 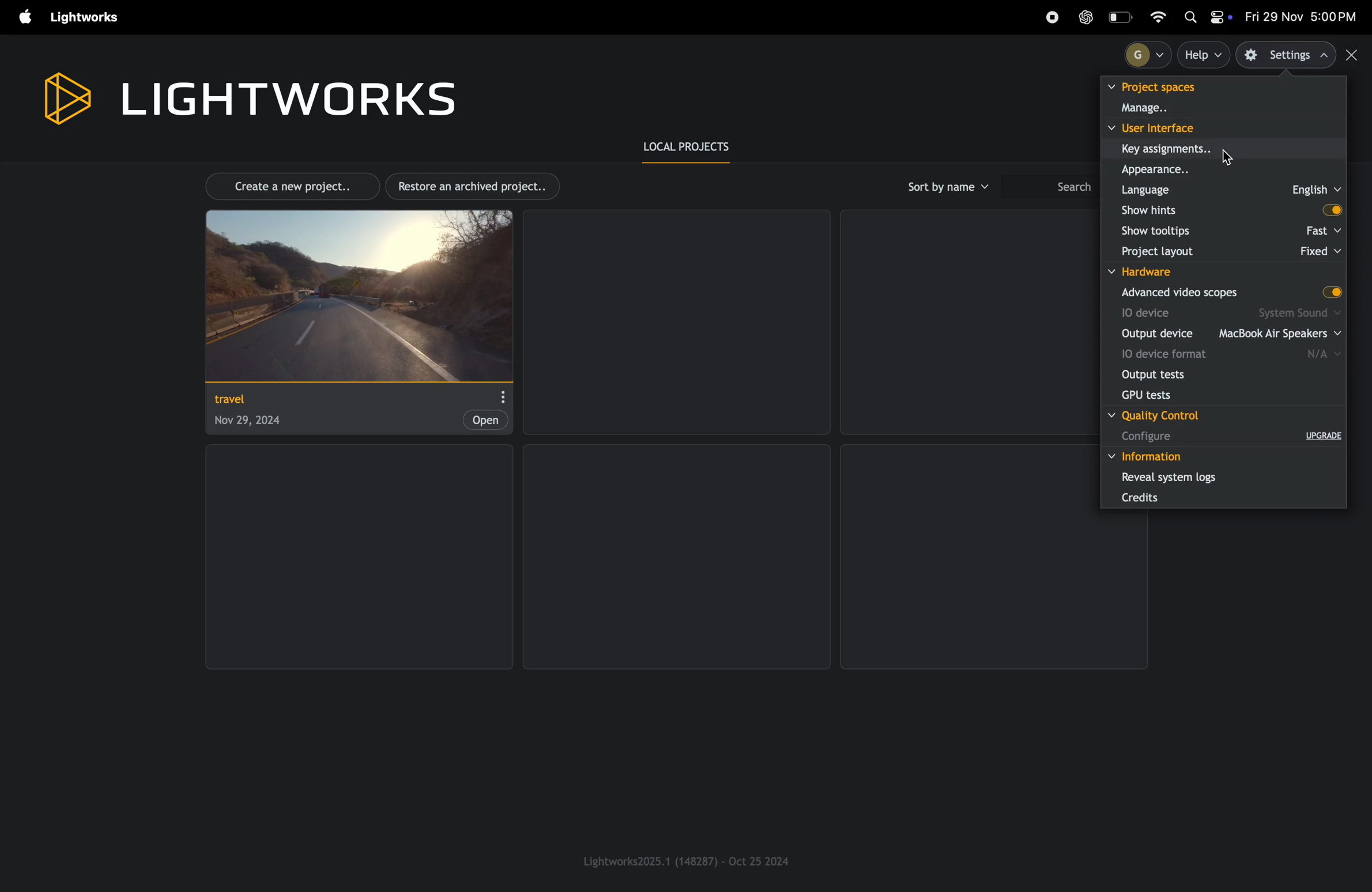 What do you see at coordinates (1143, 54) in the screenshot?
I see `profile` at bounding box center [1143, 54].